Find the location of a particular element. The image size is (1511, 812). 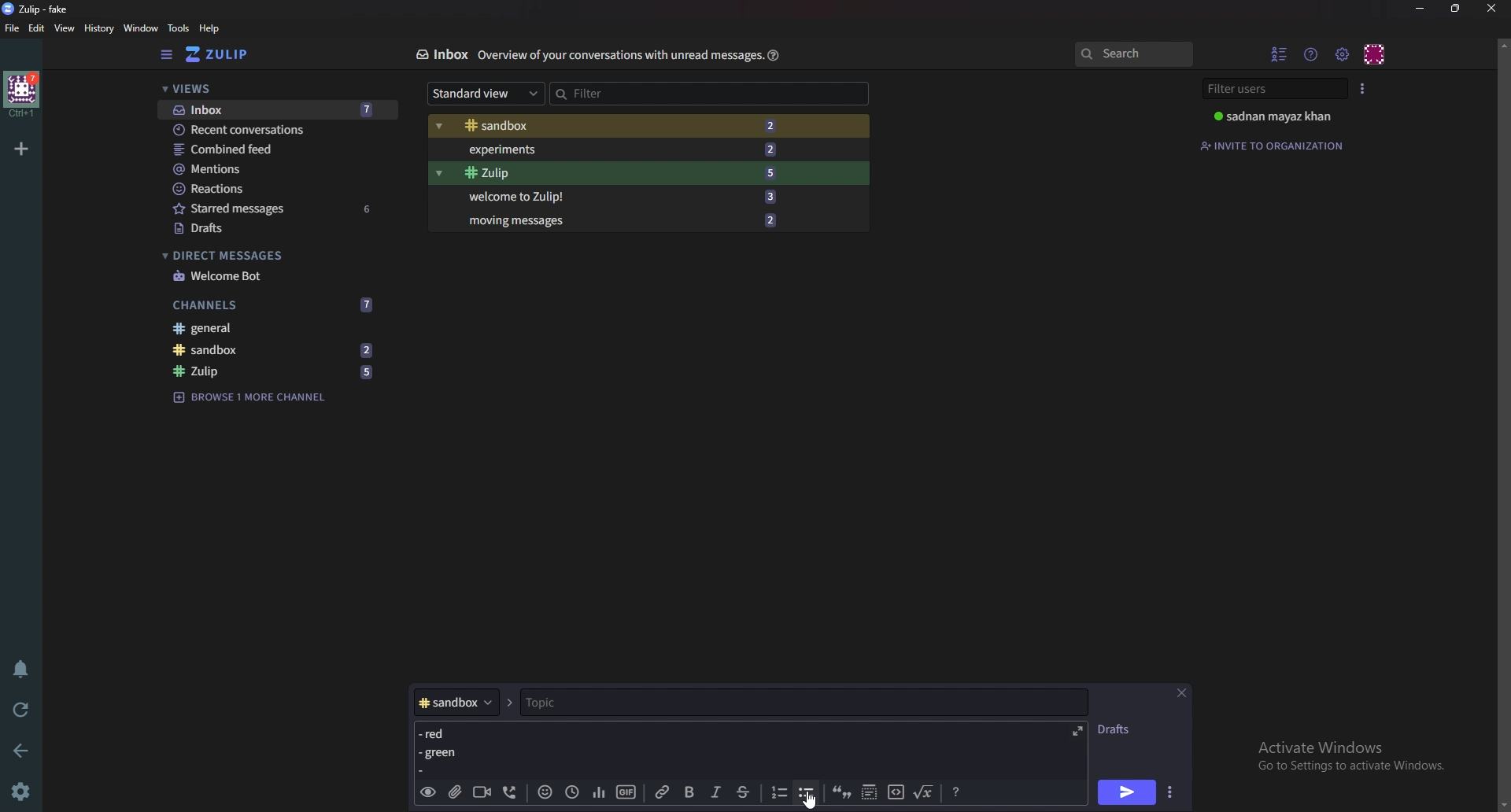

expand is located at coordinates (1074, 730).